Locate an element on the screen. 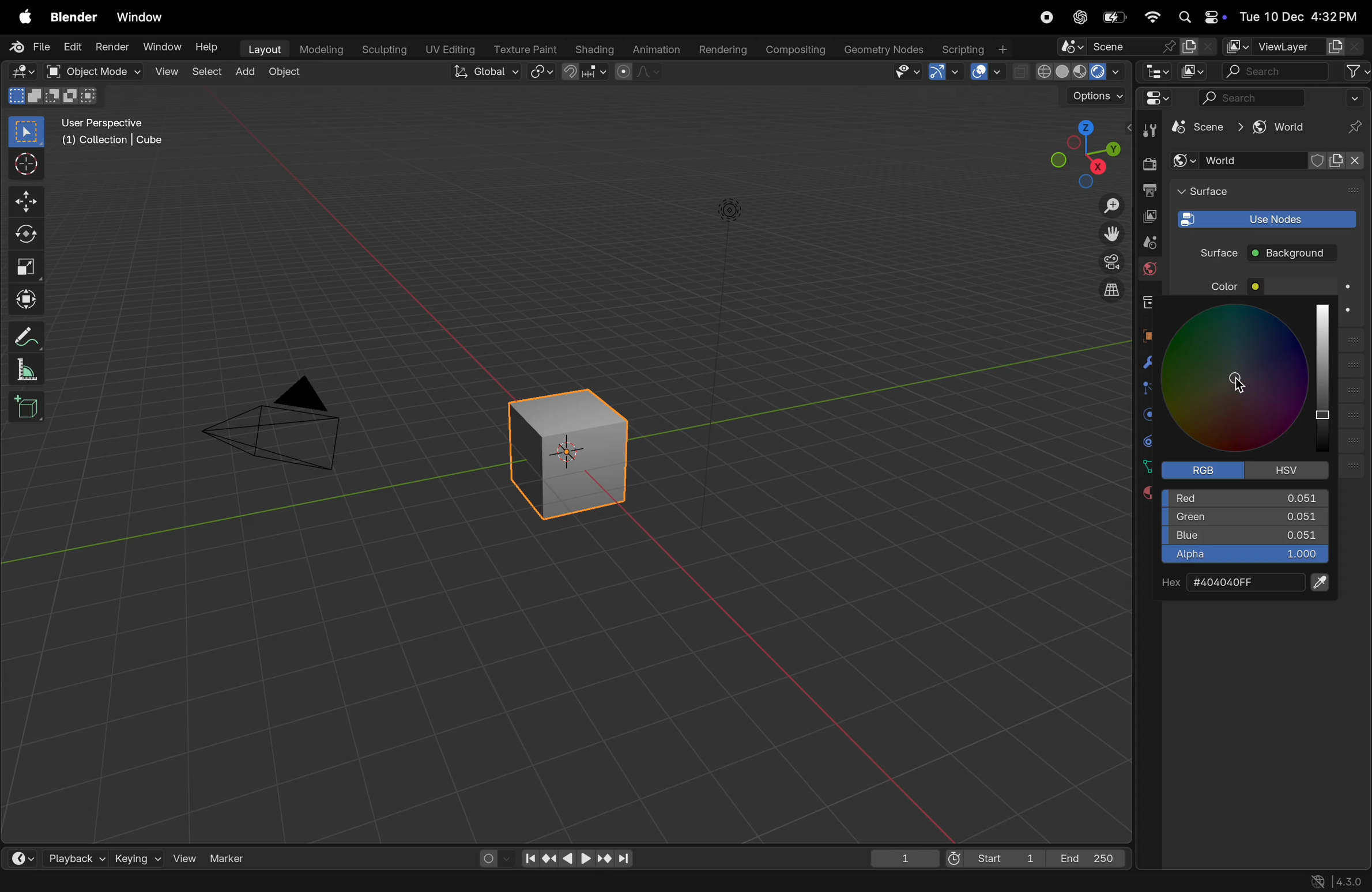 Image resolution: width=1372 pixels, height=892 pixels. show gimzo is located at coordinates (947, 72).